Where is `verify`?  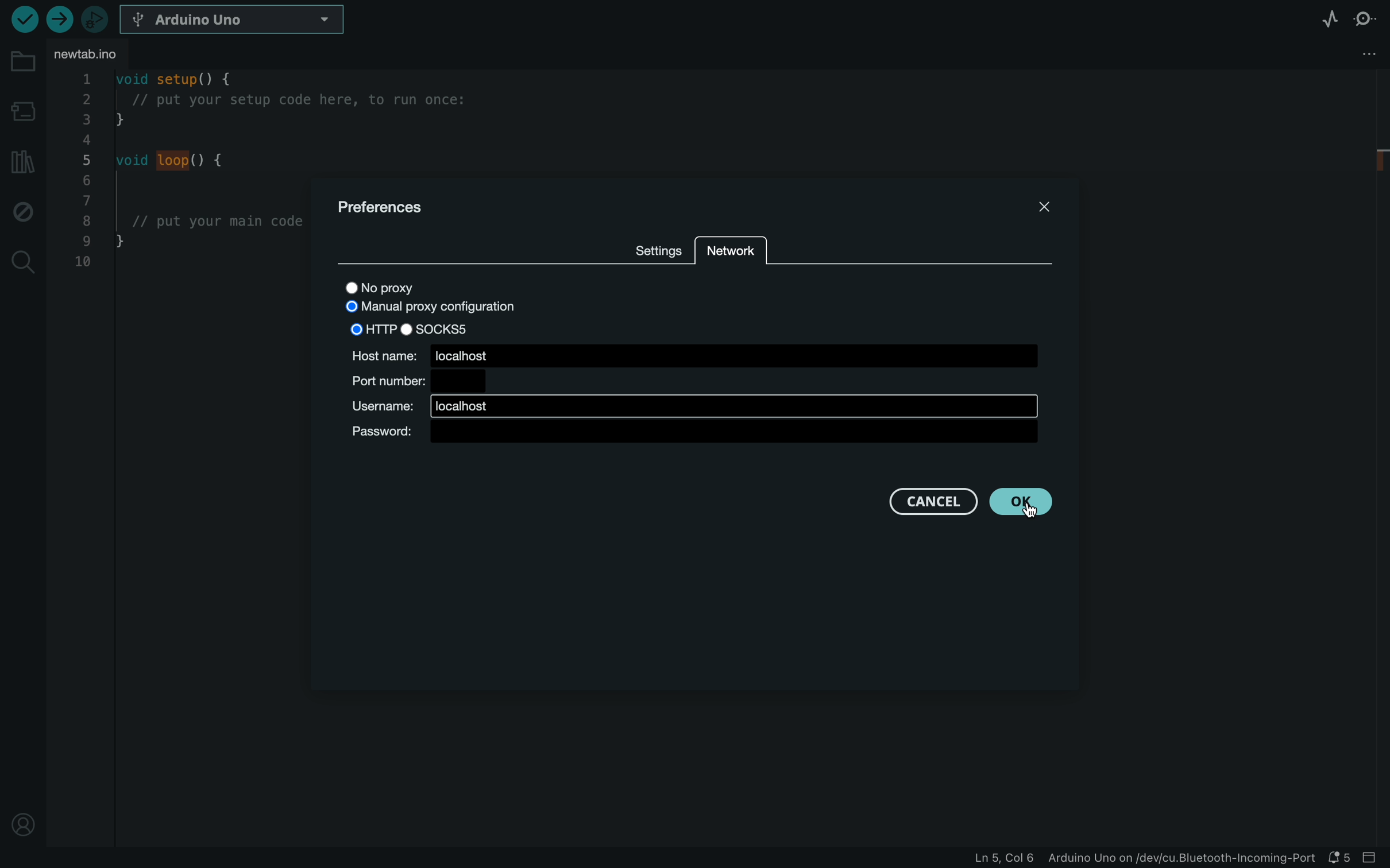
verify is located at coordinates (23, 19).